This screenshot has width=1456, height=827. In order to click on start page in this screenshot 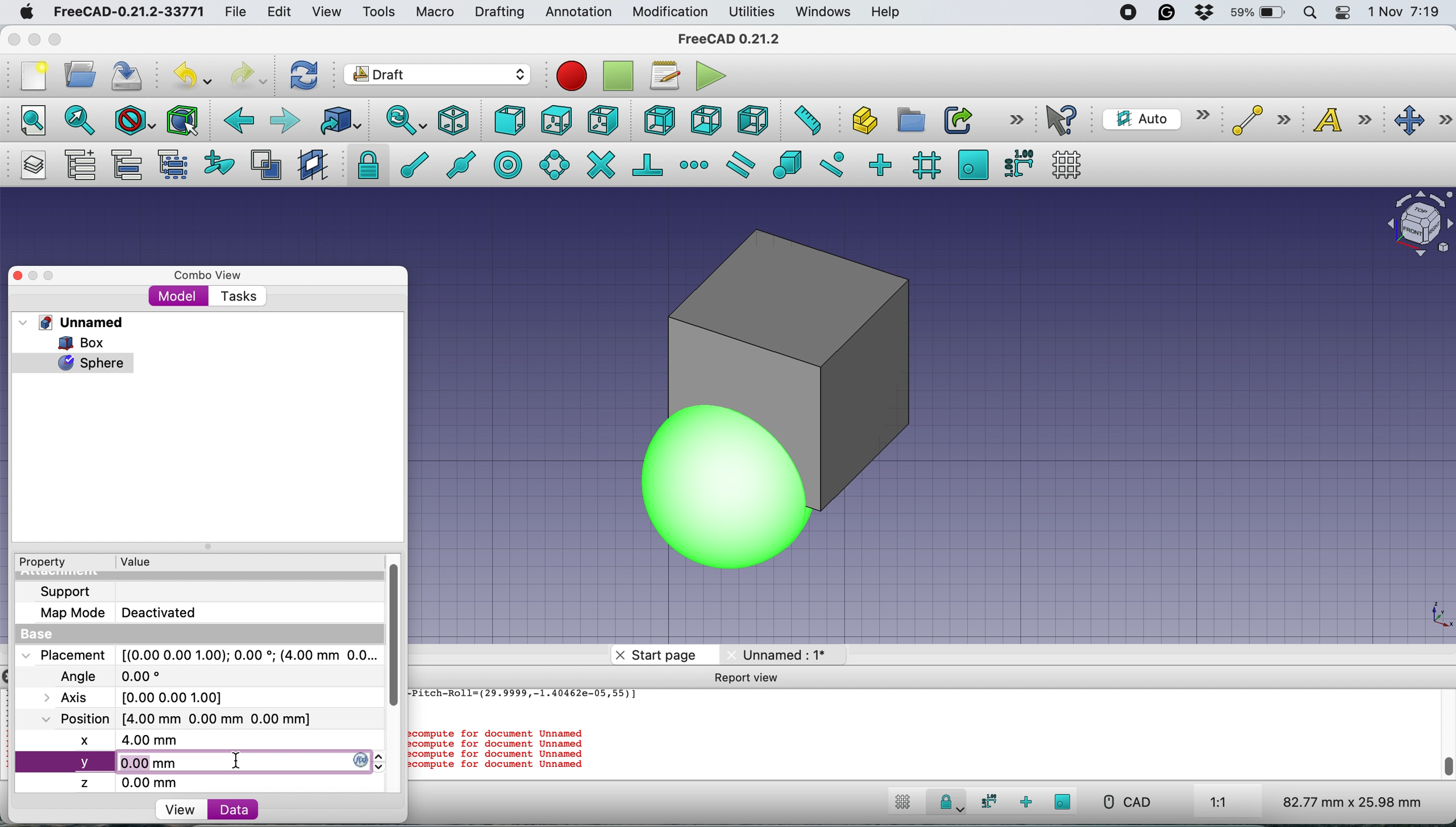, I will do `click(667, 654)`.